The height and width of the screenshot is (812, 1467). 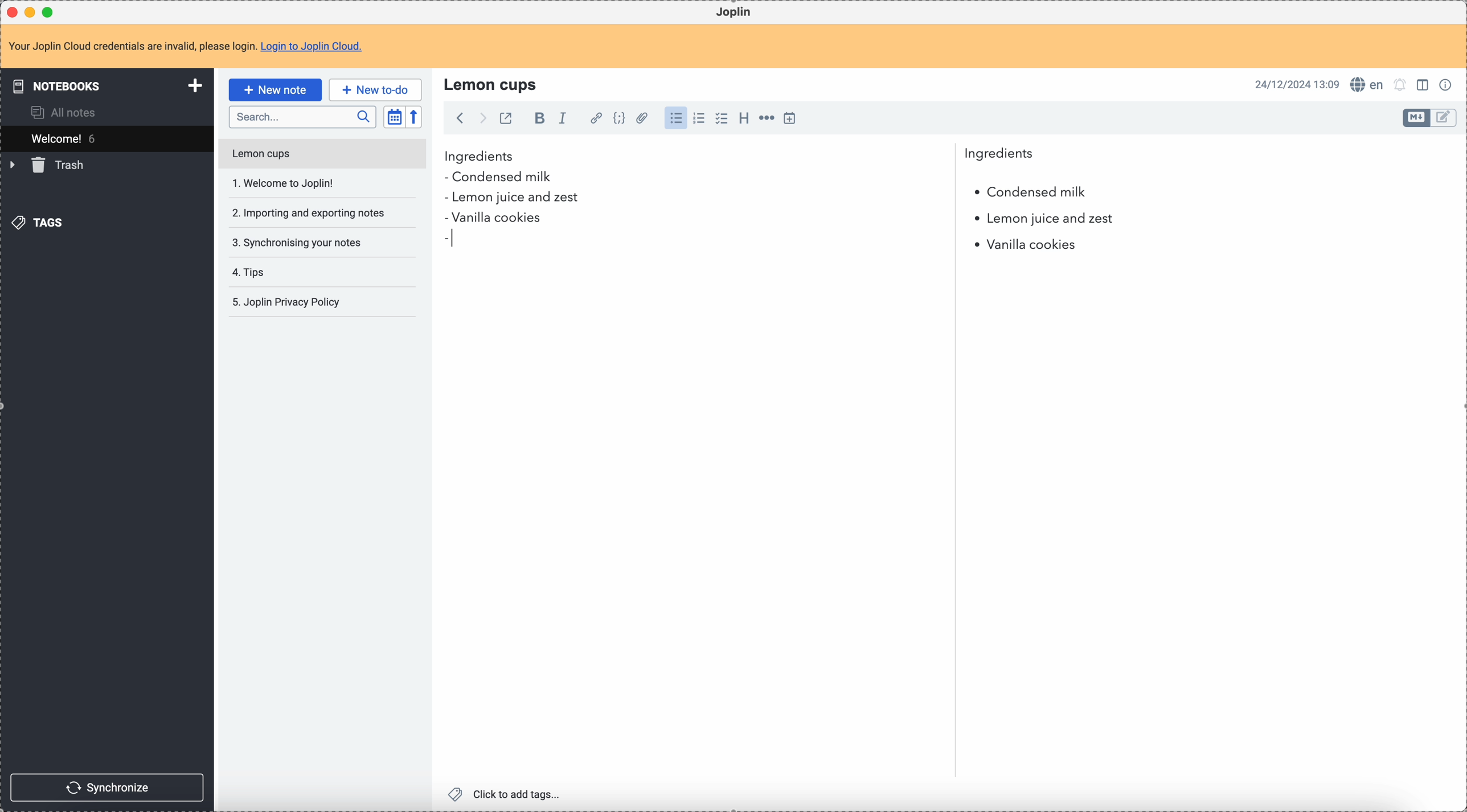 I want to click on italic, so click(x=562, y=117).